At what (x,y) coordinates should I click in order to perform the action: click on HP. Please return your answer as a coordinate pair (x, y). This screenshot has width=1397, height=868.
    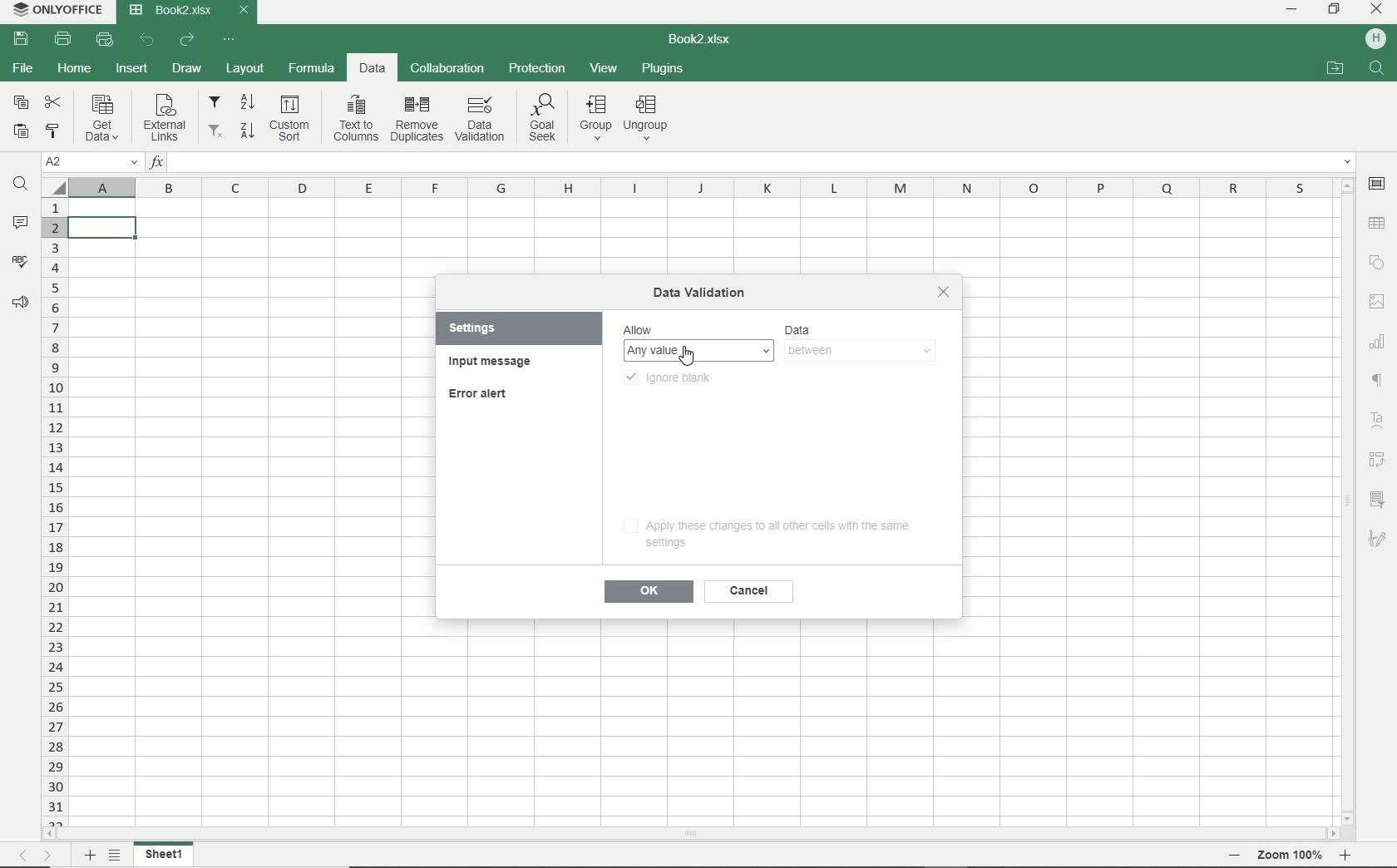
    Looking at the image, I should click on (1376, 40).